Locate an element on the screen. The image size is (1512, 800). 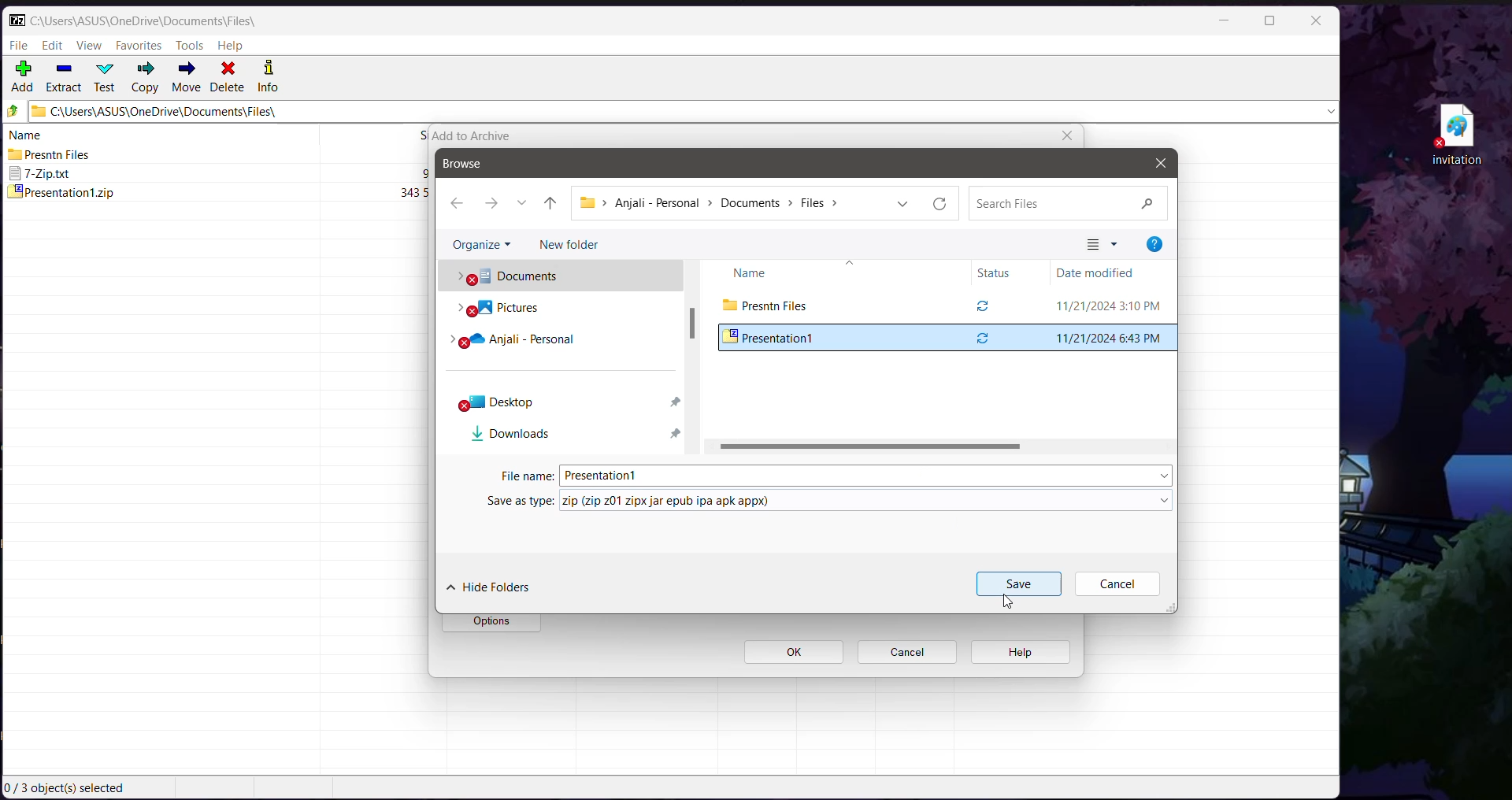
Favorites is located at coordinates (139, 46).